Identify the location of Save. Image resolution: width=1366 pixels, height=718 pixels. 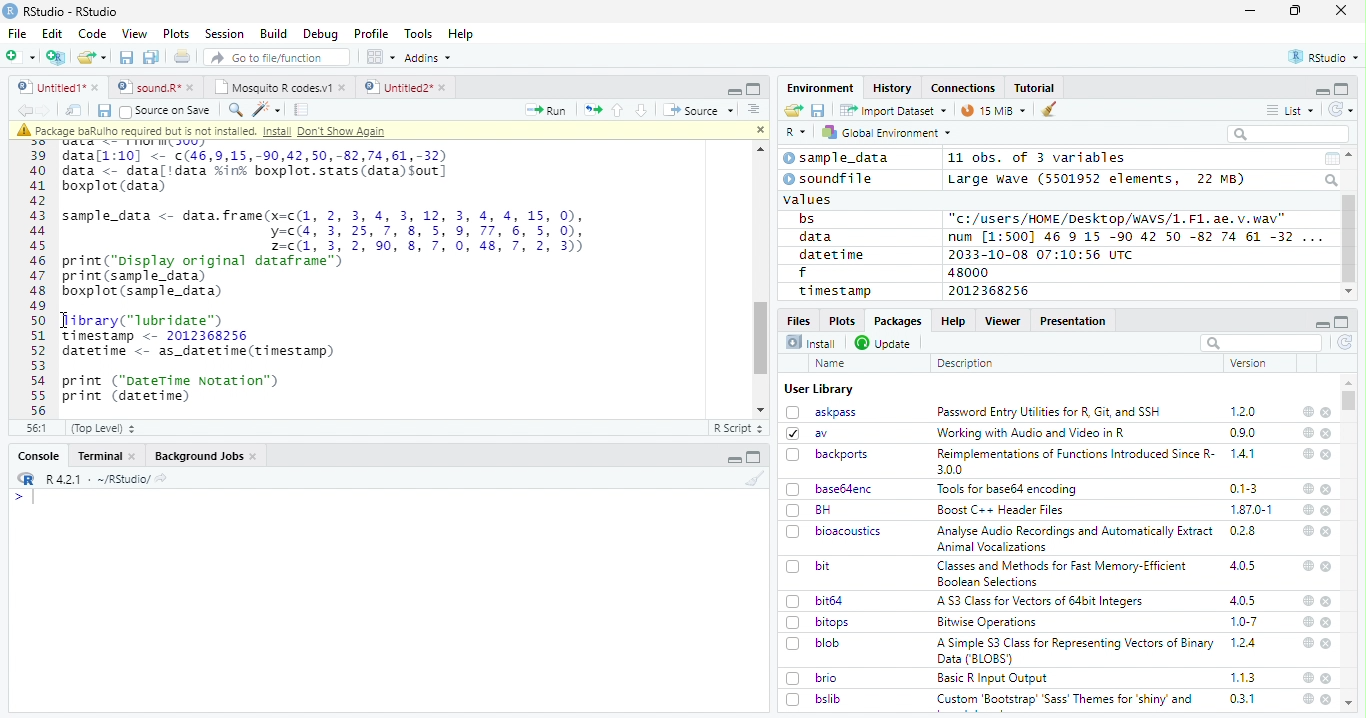
(819, 111).